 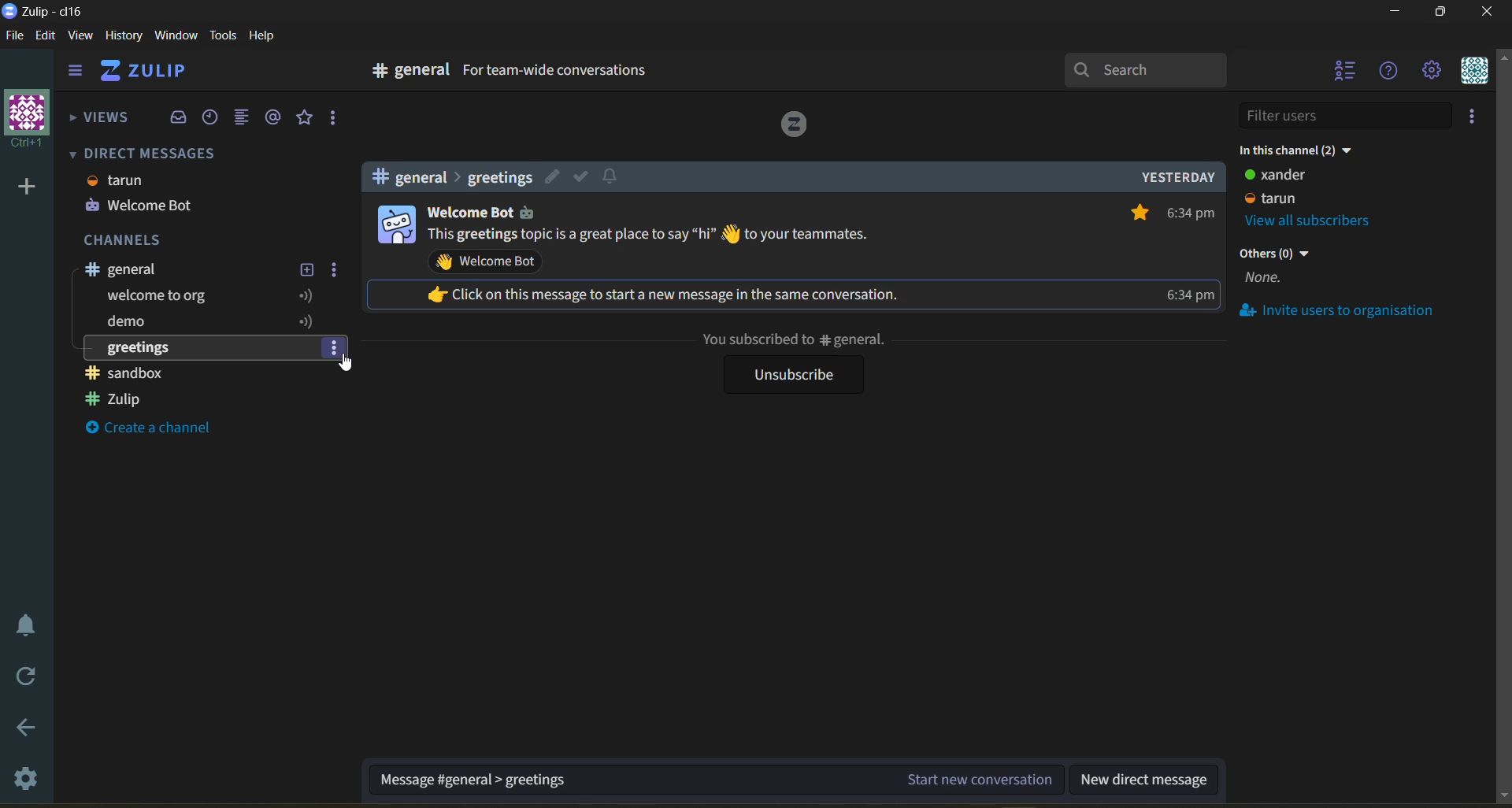 I want to click on views, so click(x=98, y=123).